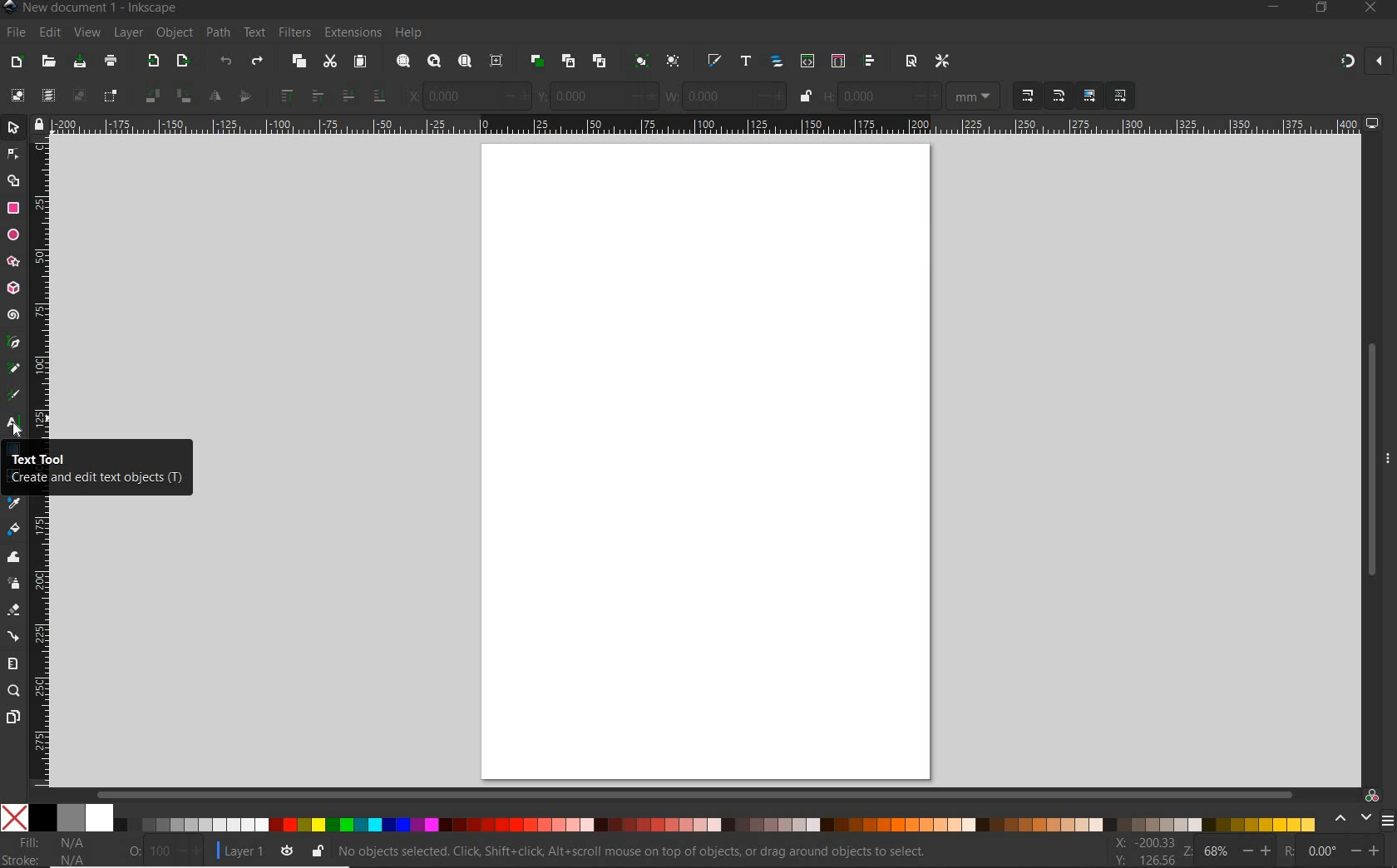 The width and height of the screenshot is (1397, 868). What do you see at coordinates (1348, 819) in the screenshot?
I see `color scroll options` at bounding box center [1348, 819].